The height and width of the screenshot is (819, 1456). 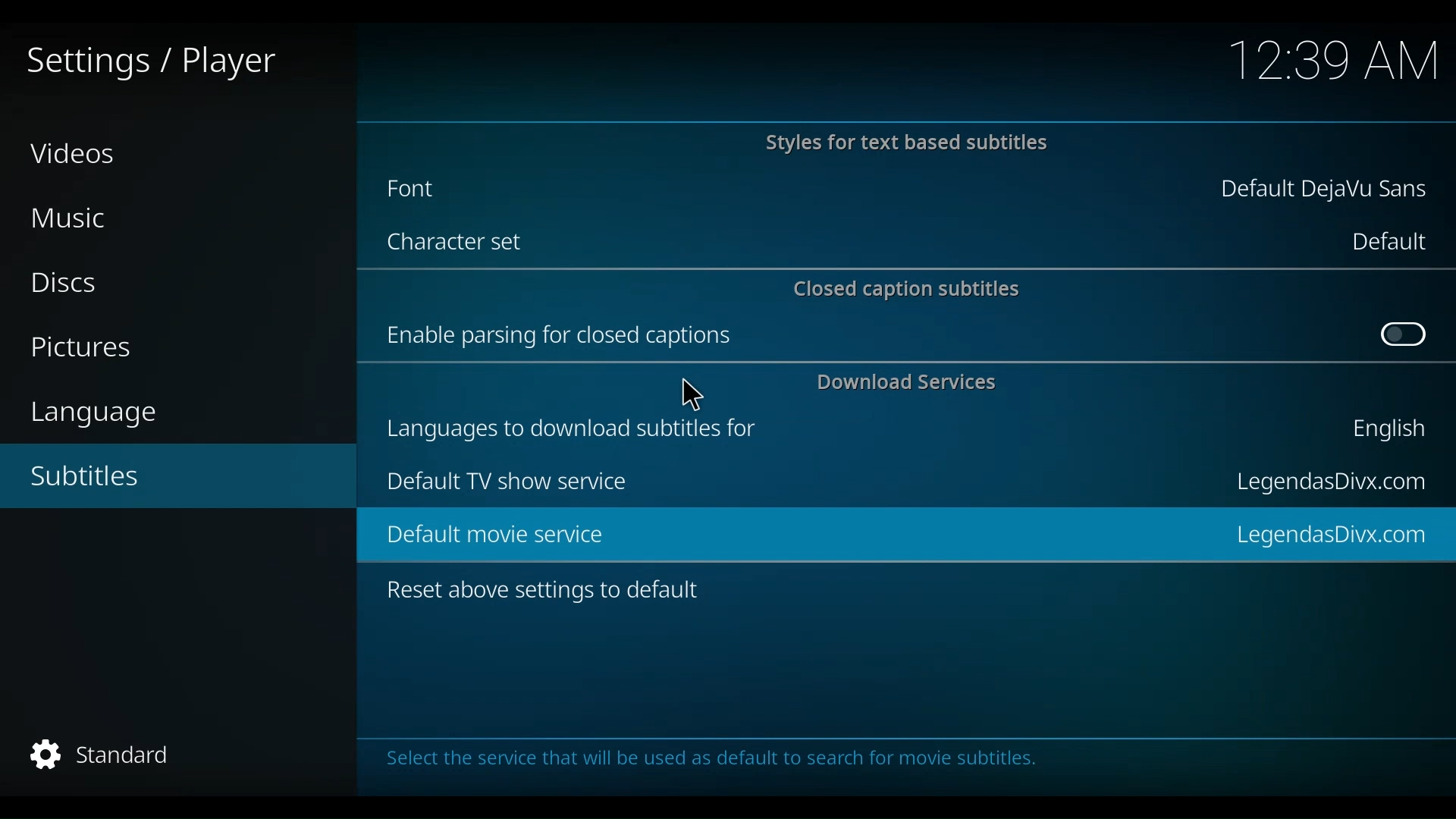 What do you see at coordinates (1387, 241) in the screenshot?
I see `Default` at bounding box center [1387, 241].